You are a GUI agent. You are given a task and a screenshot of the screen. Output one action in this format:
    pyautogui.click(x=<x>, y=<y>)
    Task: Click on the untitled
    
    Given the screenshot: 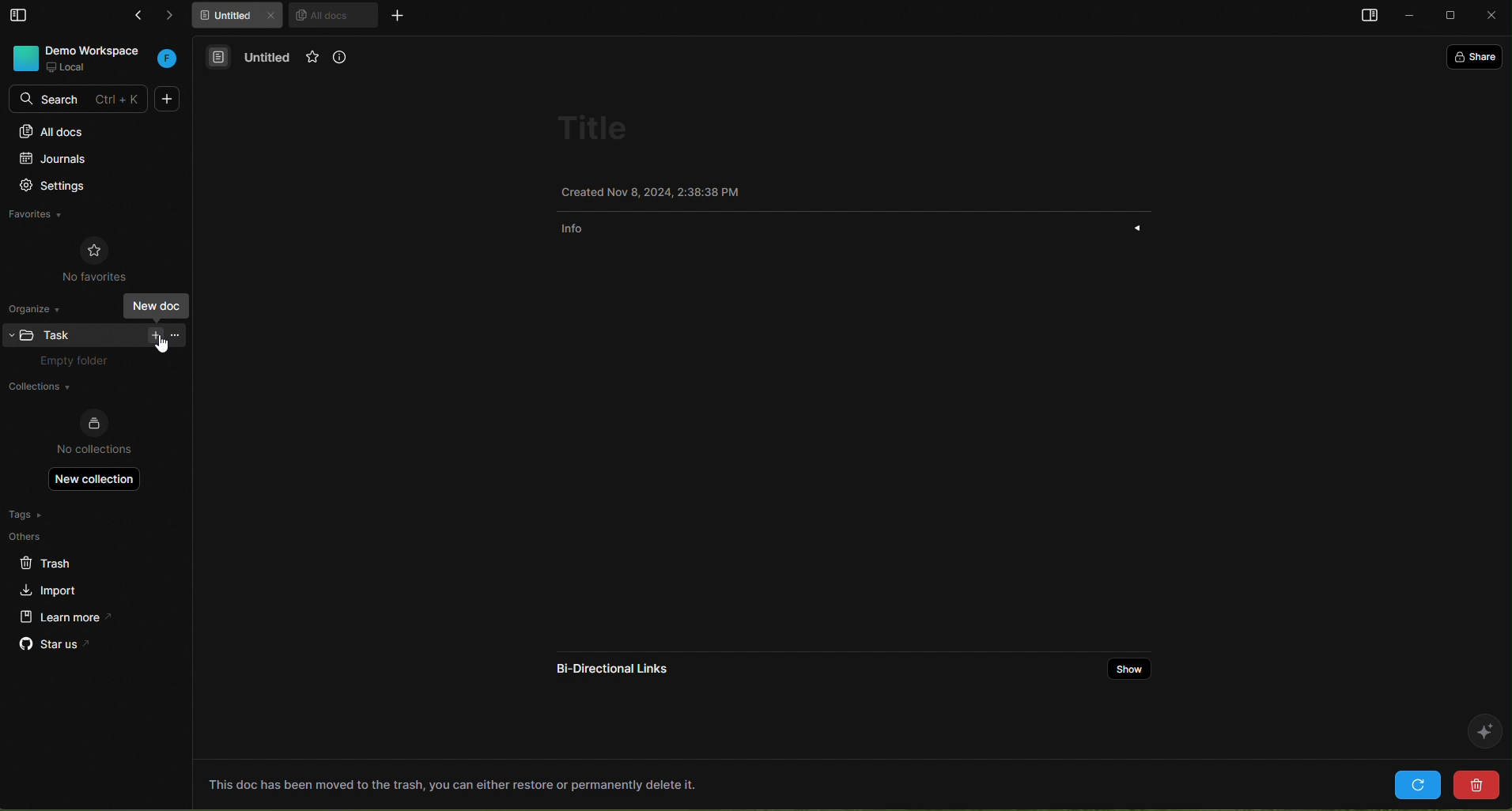 What is the action you would take?
    pyautogui.click(x=240, y=17)
    